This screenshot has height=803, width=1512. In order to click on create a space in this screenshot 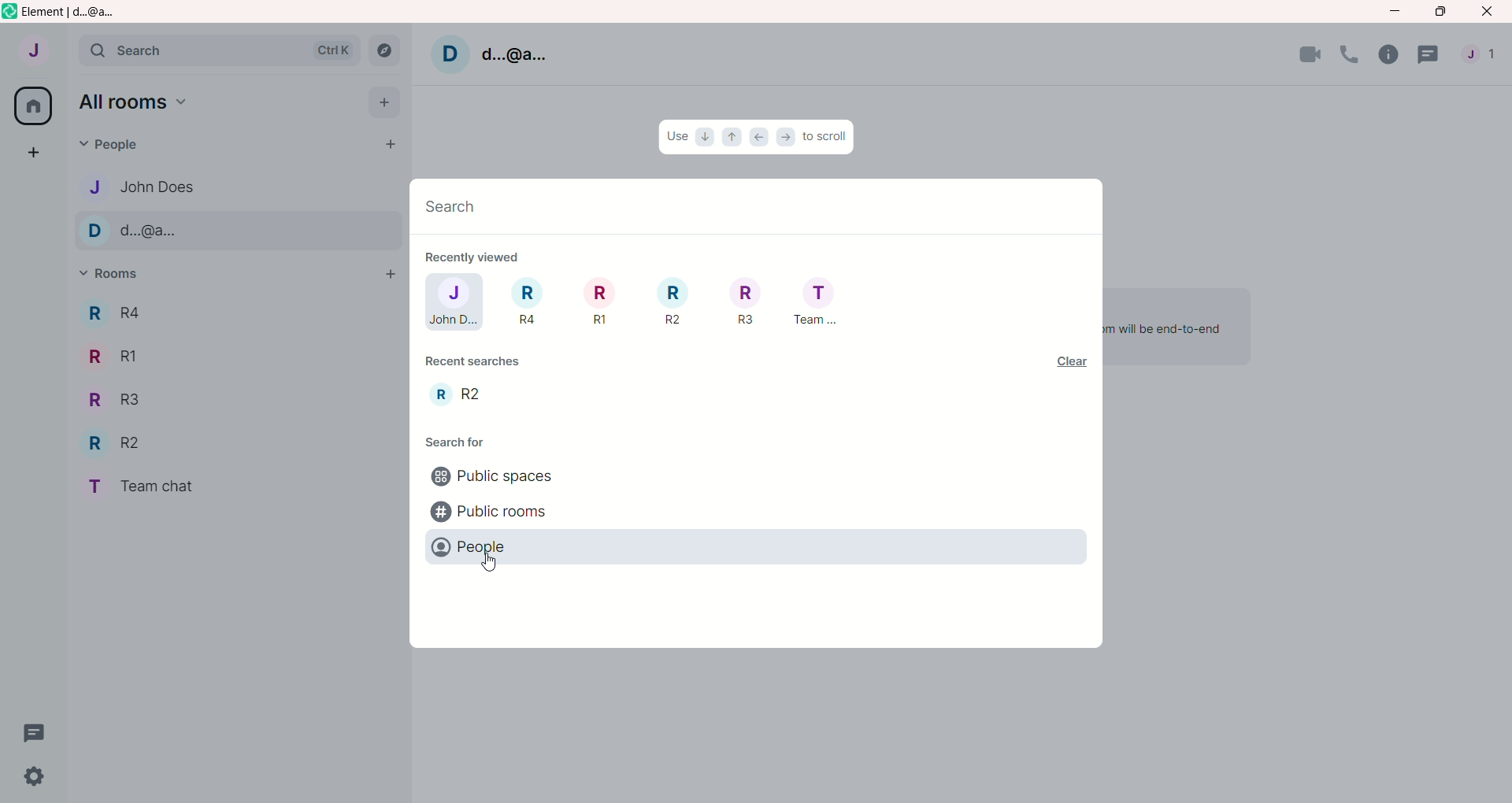, I will do `click(36, 154)`.